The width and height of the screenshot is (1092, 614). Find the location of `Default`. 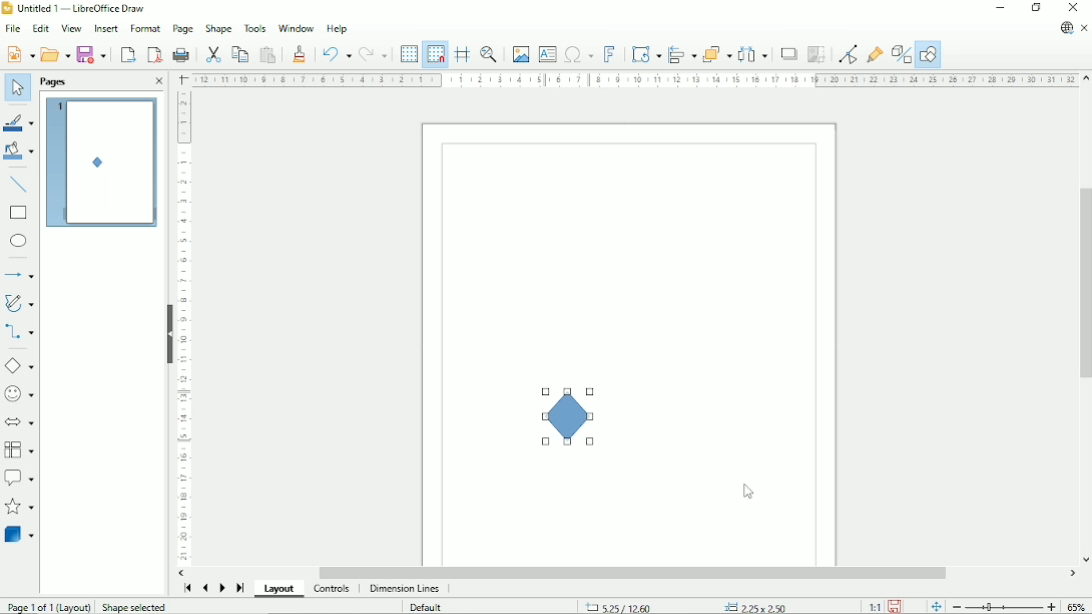

Default is located at coordinates (427, 607).